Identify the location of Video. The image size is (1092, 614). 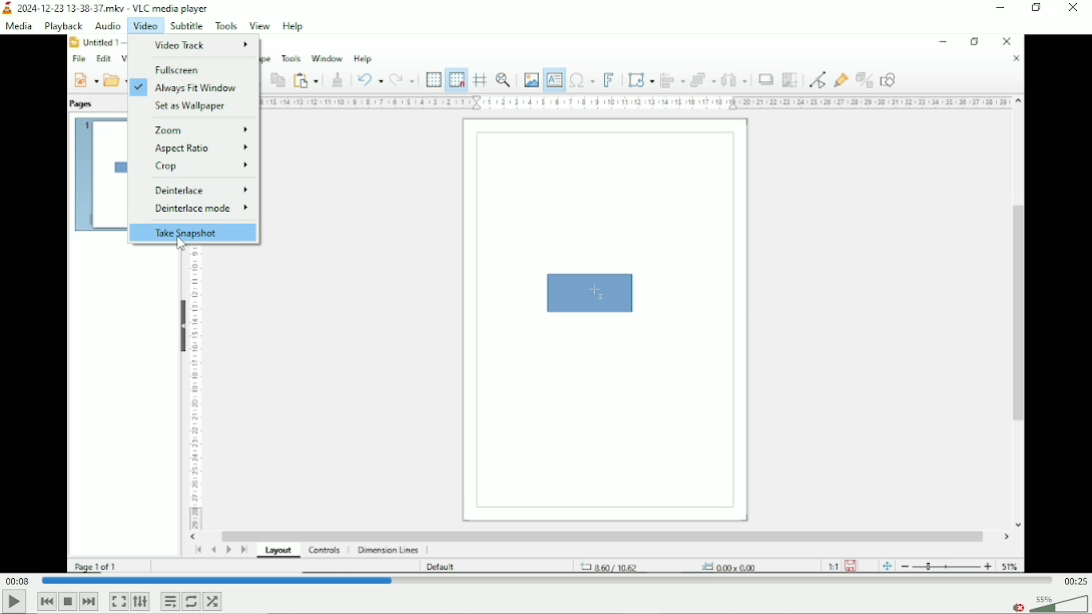
(545, 414).